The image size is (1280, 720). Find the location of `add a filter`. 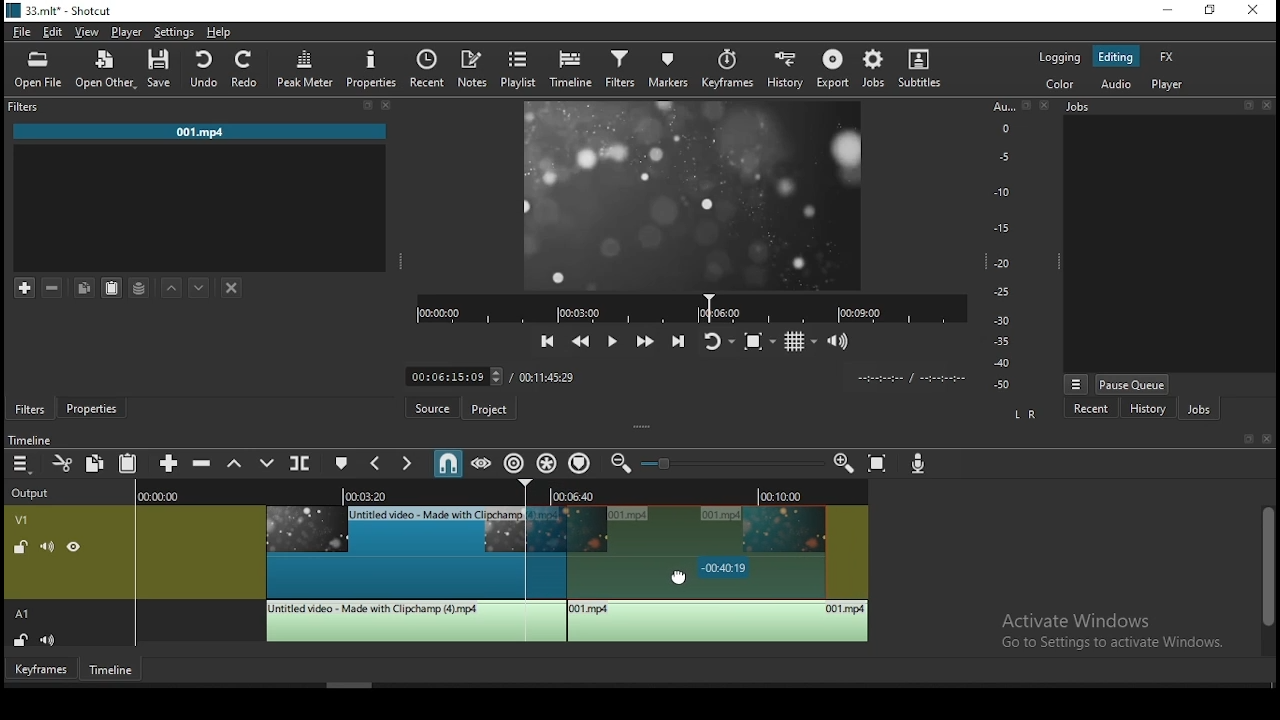

add a filter is located at coordinates (27, 288).